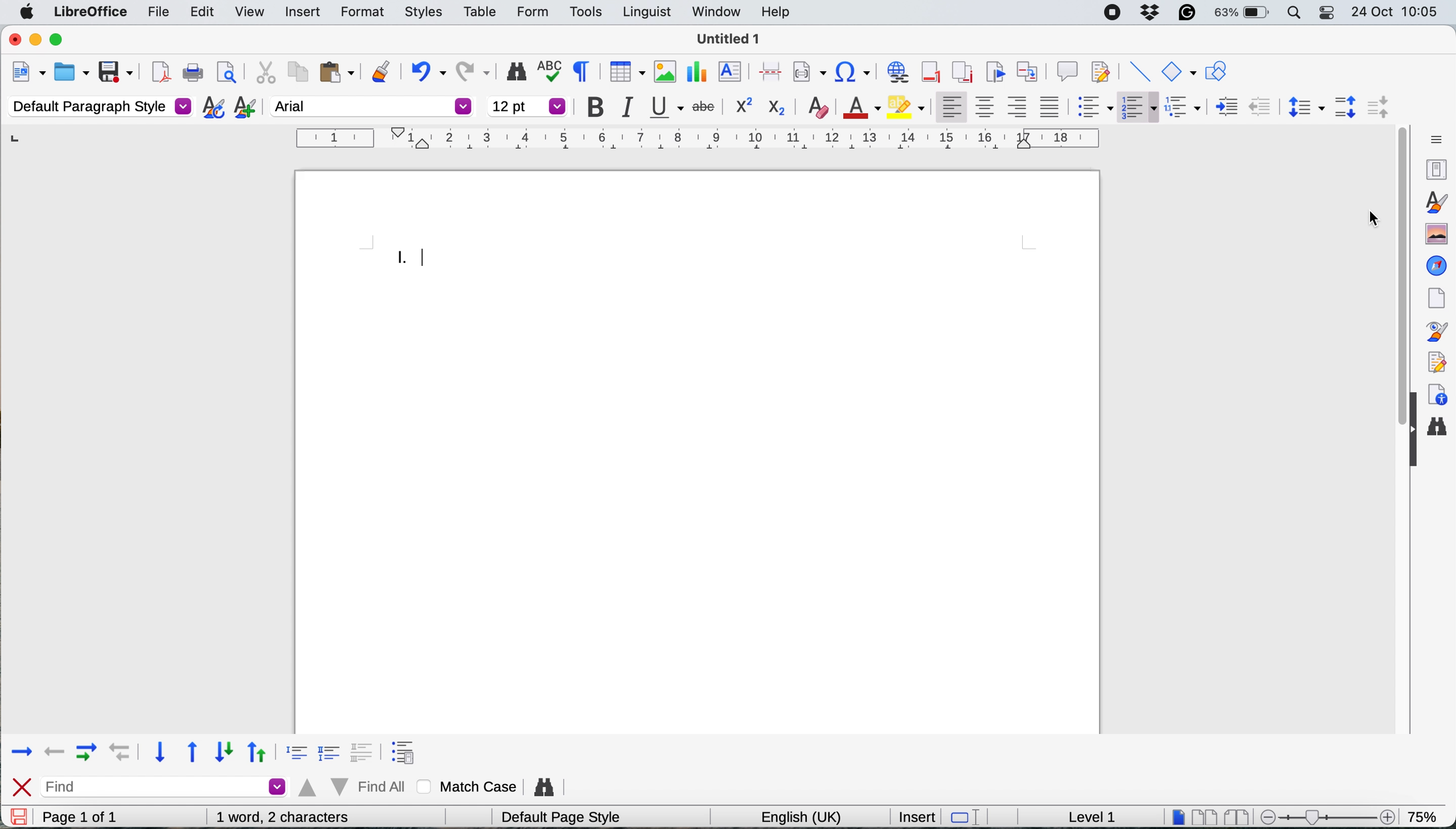 This screenshot has width=1456, height=829. What do you see at coordinates (1397, 12) in the screenshot?
I see `24-Oct 10:05` at bounding box center [1397, 12].